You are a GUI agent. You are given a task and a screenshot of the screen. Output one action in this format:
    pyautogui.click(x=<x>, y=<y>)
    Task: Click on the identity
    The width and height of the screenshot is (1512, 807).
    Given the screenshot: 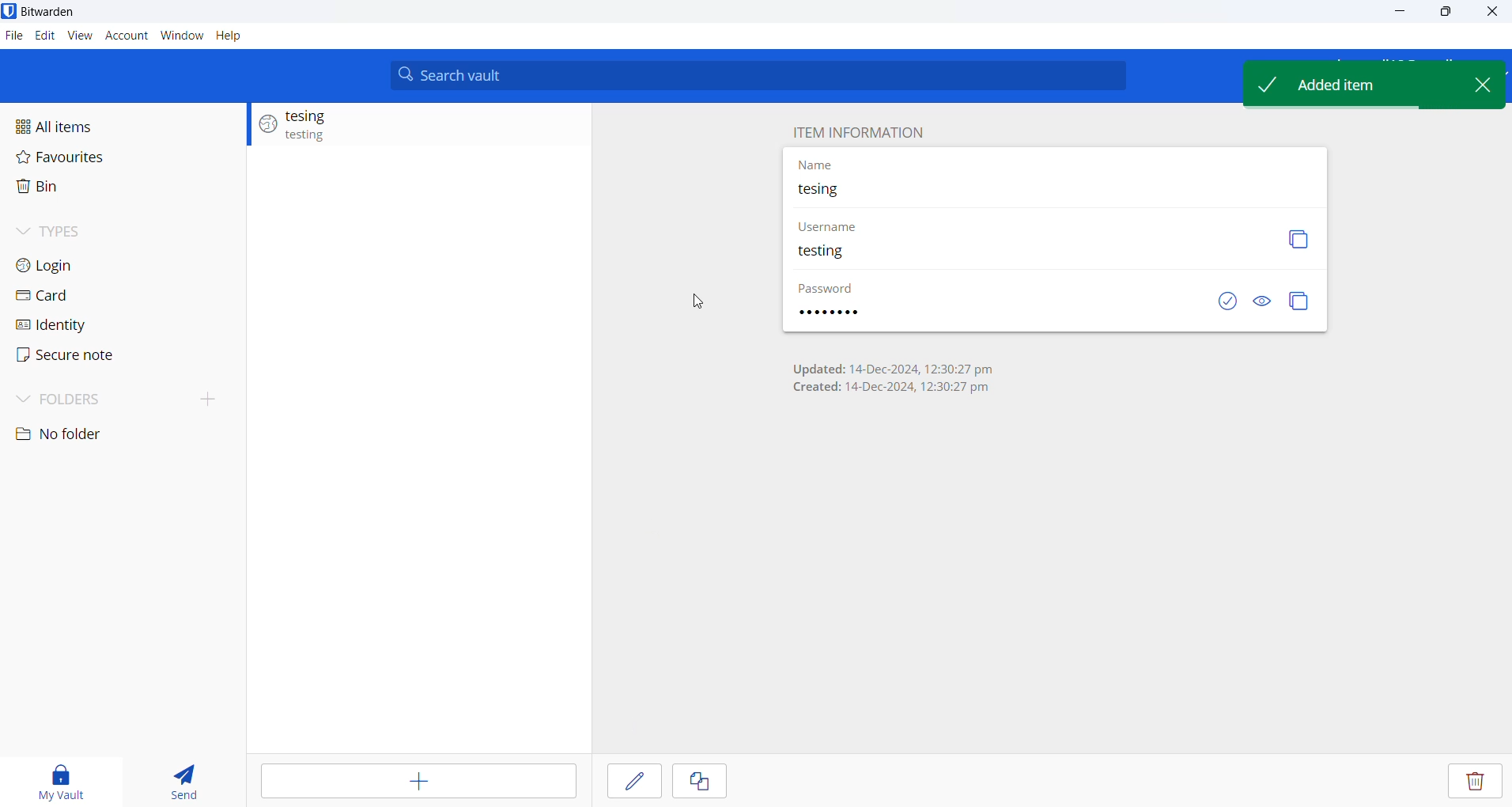 What is the action you would take?
    pyautogui.click(x=60, y=324)
    